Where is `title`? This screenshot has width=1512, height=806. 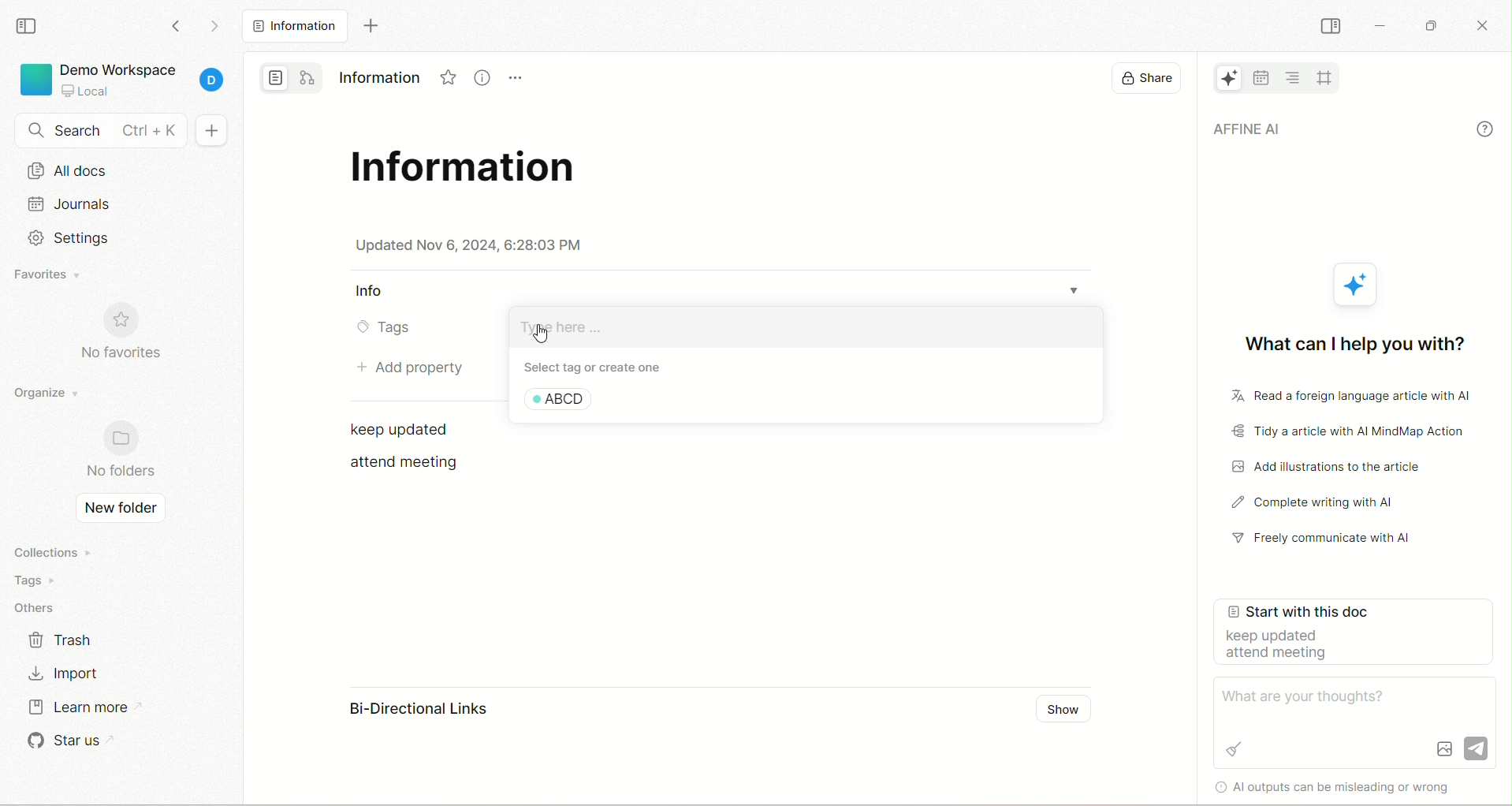
title is located at coordinates (468, 173).